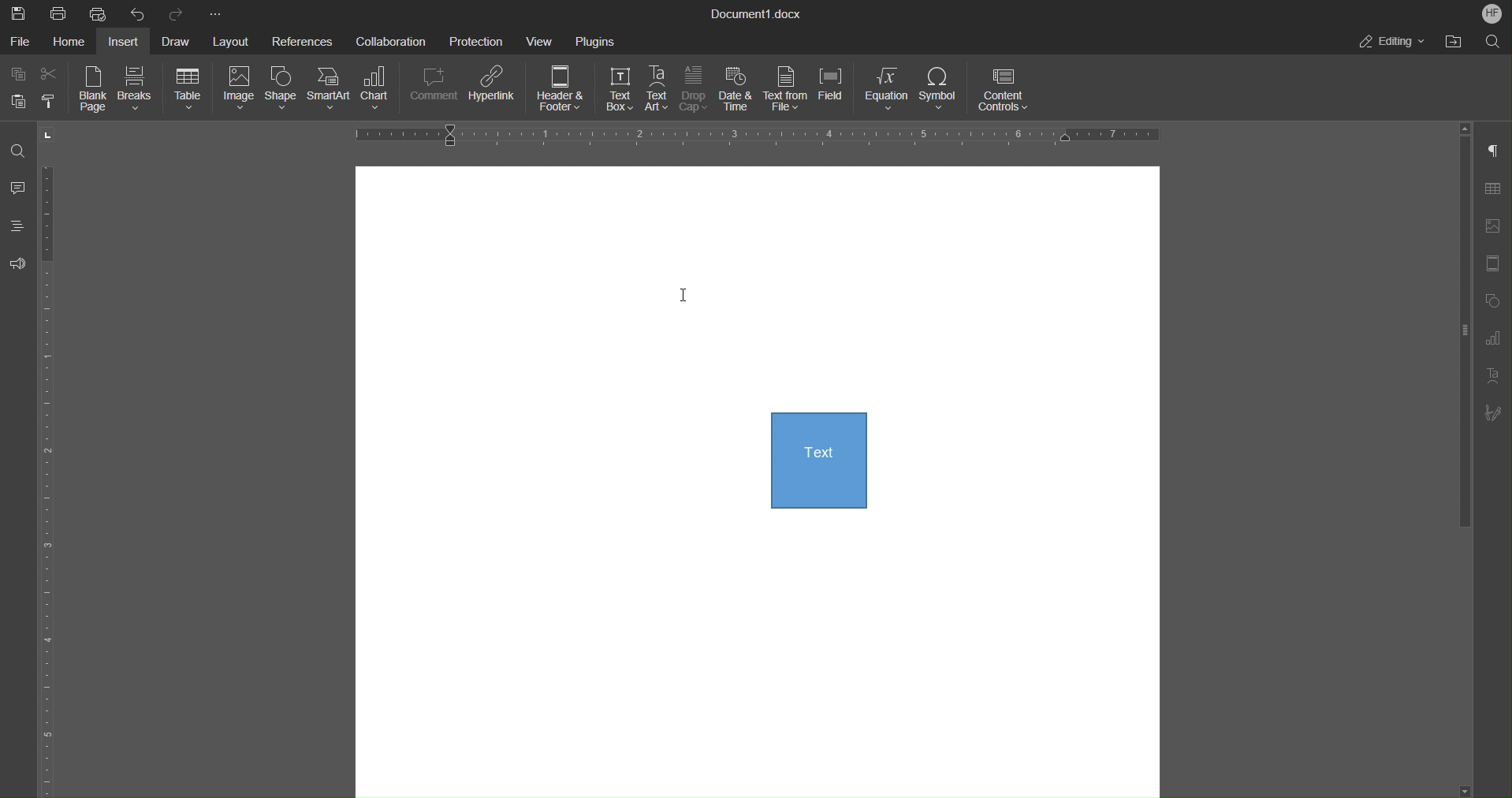 The width and height of the screenshot is (1512, 798). I want to click on Paragraph Settings, so click(1498, 151).